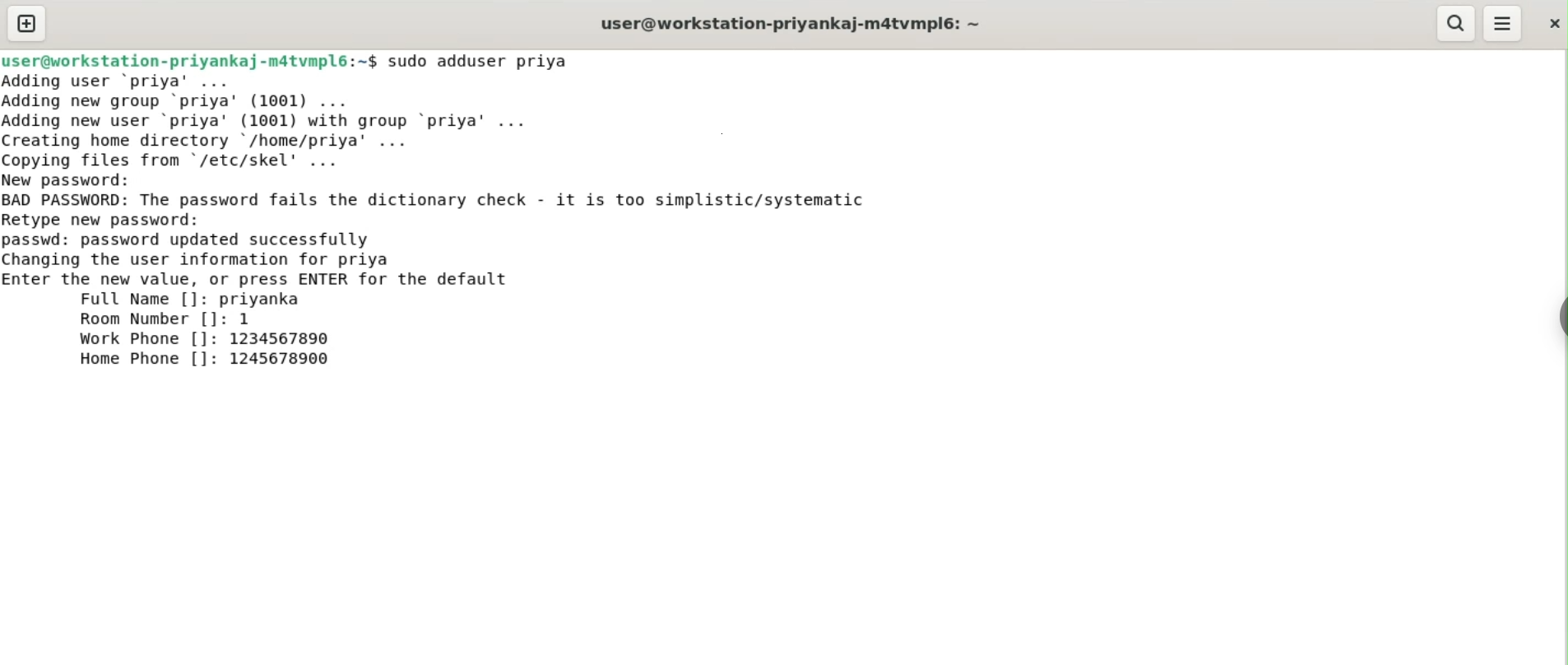  What do you see at coordinates (787, 23) in the screenshot?
I see `user@workstation-priyankaj-m4tvmpl6:~` at bounding box center [787, 23].